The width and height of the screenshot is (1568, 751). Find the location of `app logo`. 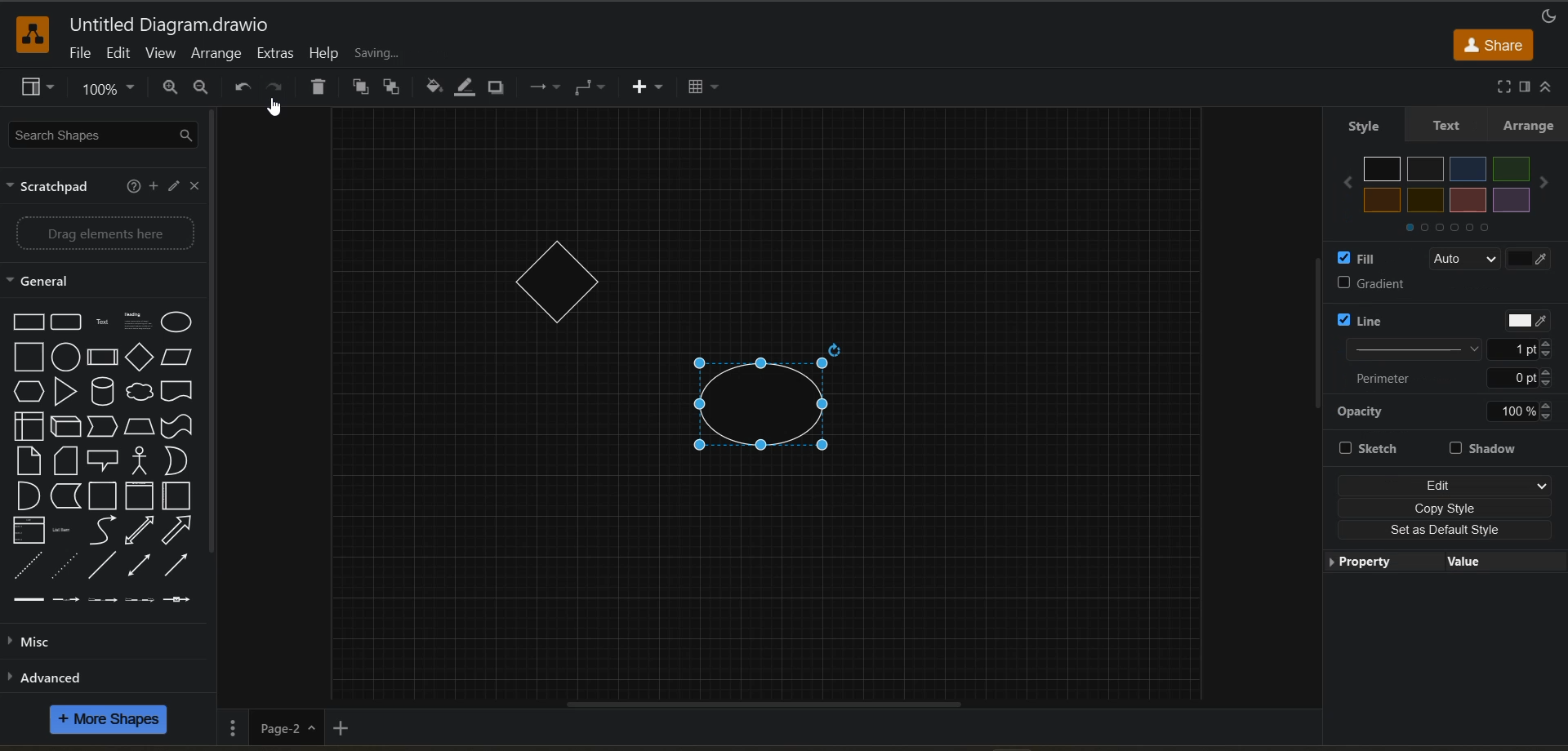

app logo is located at coordinates (29, 33).